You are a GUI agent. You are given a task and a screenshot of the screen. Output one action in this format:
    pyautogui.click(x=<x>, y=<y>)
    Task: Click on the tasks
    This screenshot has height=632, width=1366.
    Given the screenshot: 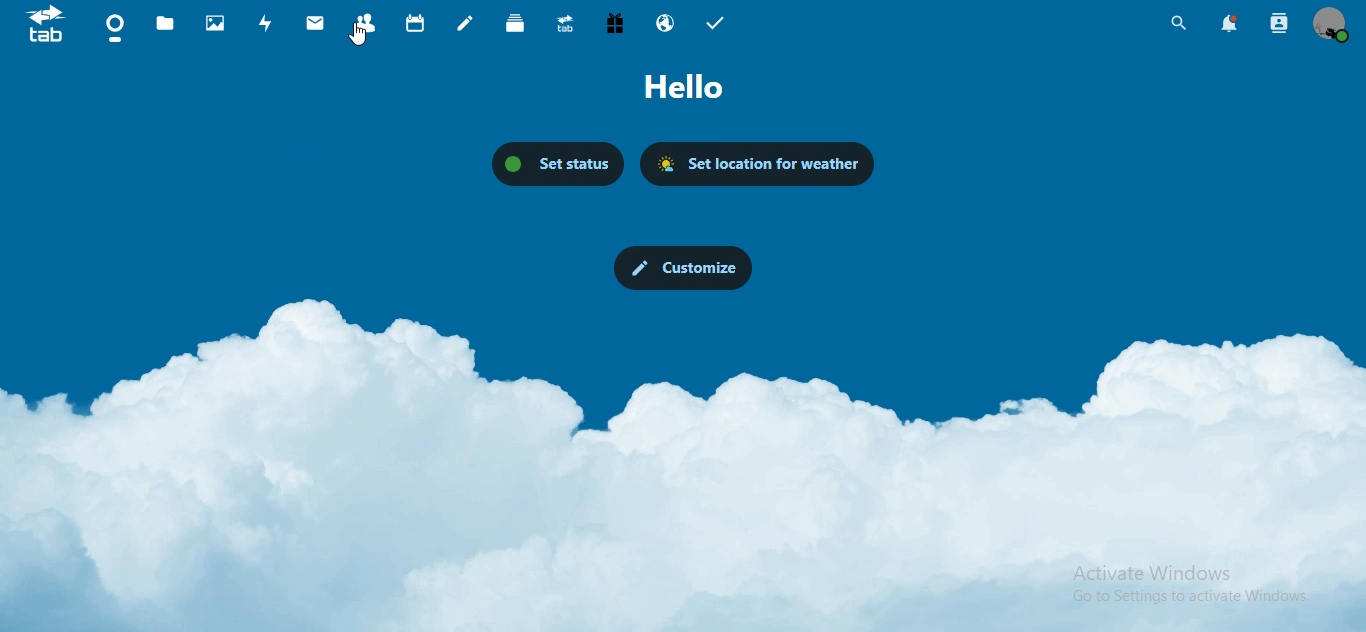 What is the action you would take?
    pyautogui.click(x=716, y=26)
    